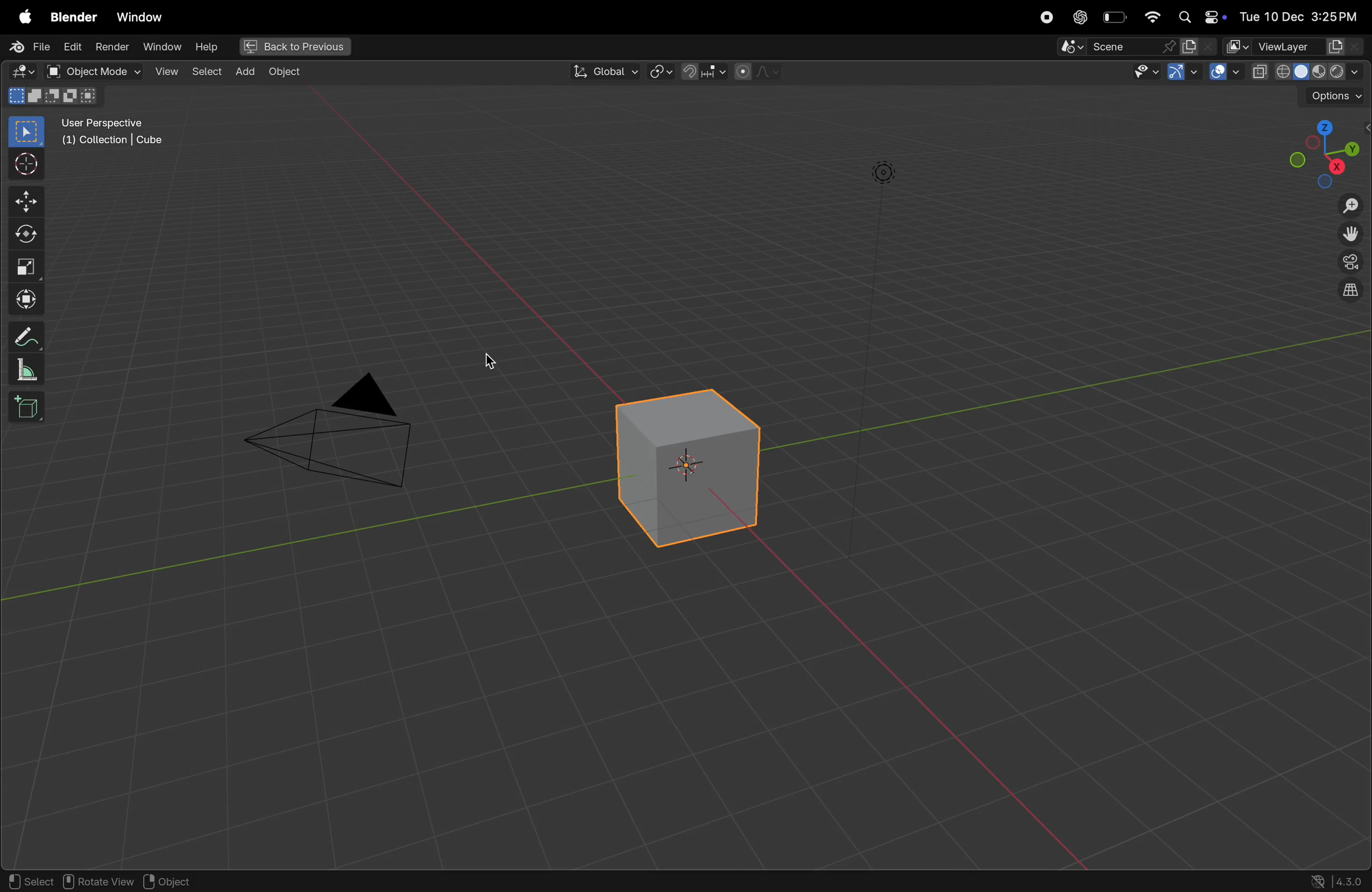 Image resolution: width=1372 pixels, height=892 pixels. What do you see at coordinates (499, 365) in the screenshot?
I see `cursor` at bounding box center [499, 365].